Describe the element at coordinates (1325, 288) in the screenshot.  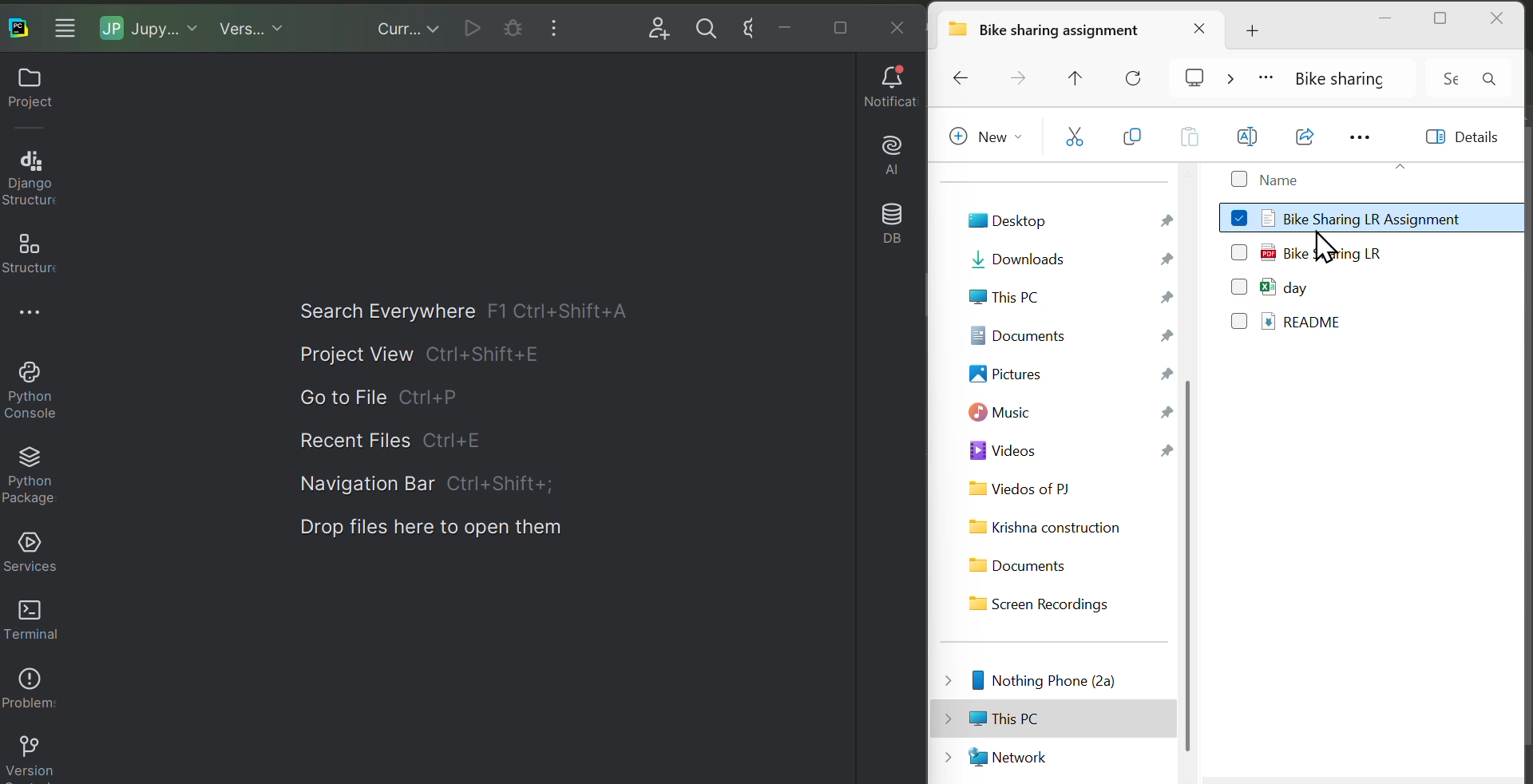
I see `day` at that location.